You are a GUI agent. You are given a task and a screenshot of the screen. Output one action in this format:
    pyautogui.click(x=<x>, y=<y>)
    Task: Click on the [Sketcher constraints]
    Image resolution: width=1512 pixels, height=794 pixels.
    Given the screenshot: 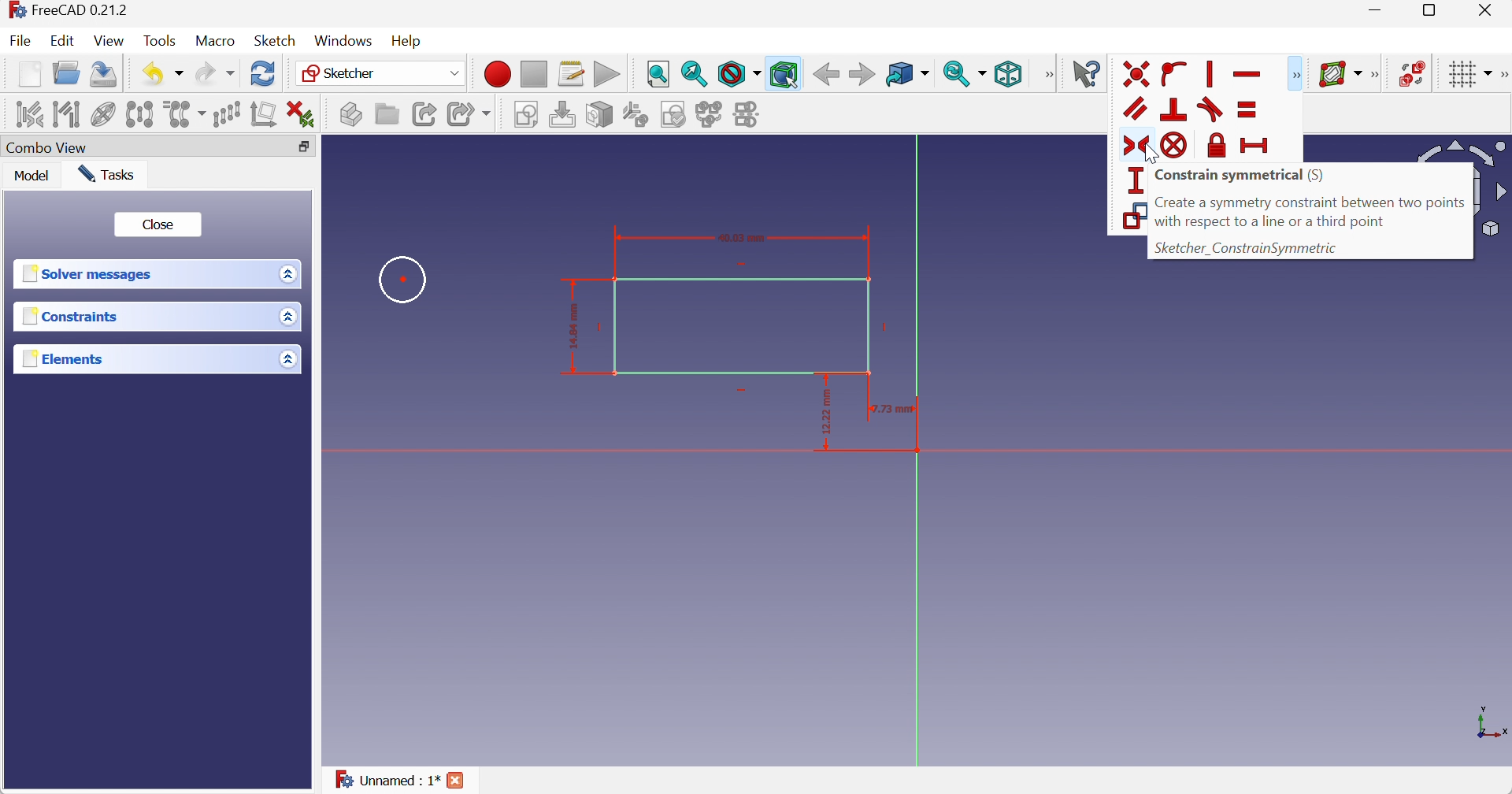 What is the action you would take?
    pyautogui.click(x=1299, y=74)
    